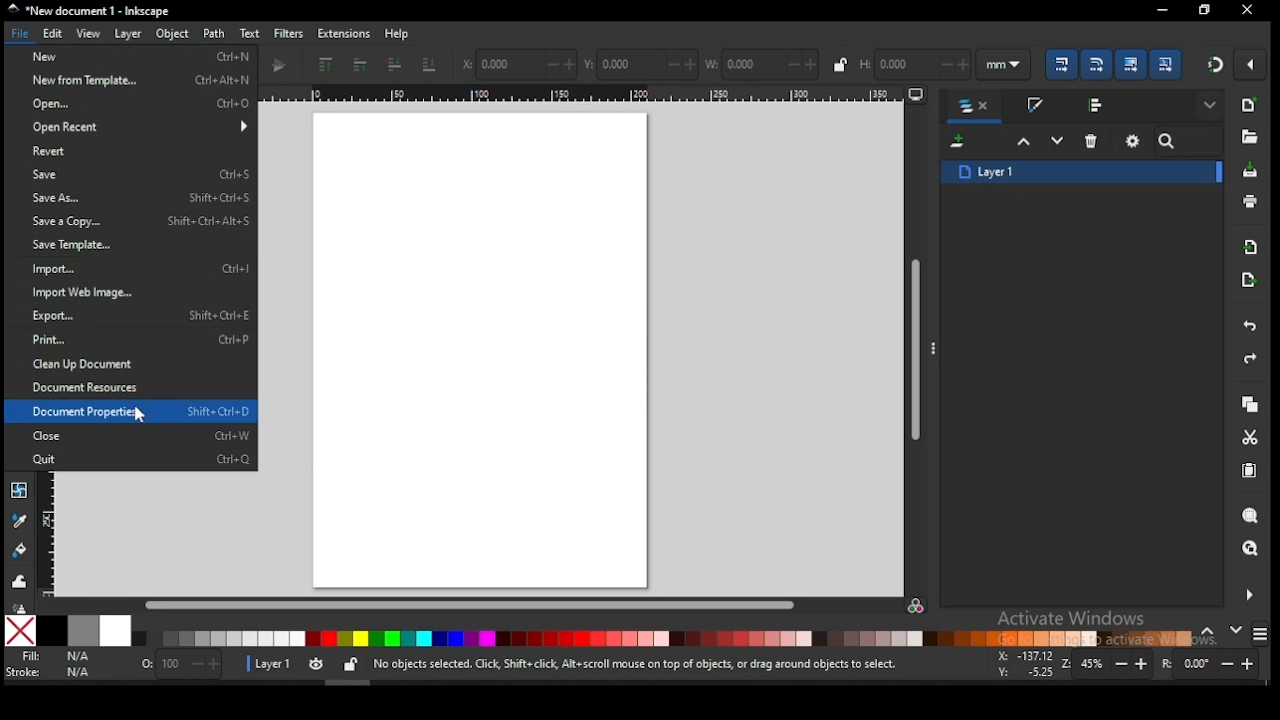  What do you see at coordinates (1024, 142) in the screenshot?
I see `raiseselection one step` at bounding box center [1024, 142].